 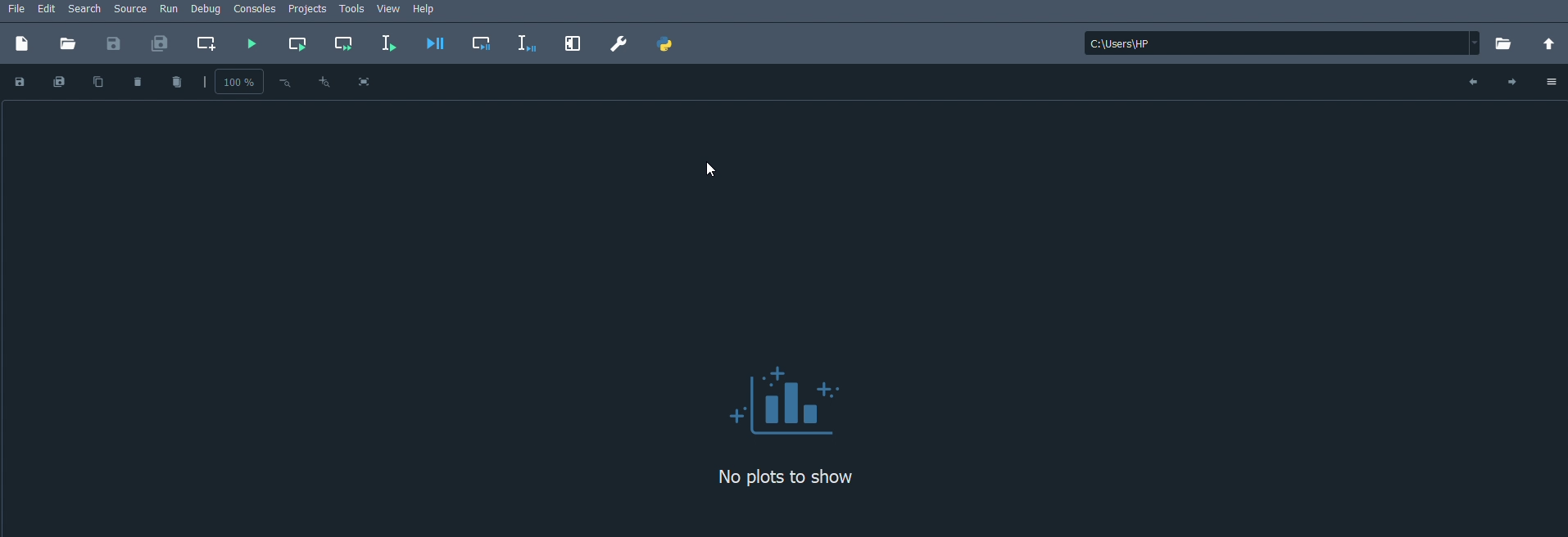 I want to click on Debug selection or current line, so click(x=527, y=43).